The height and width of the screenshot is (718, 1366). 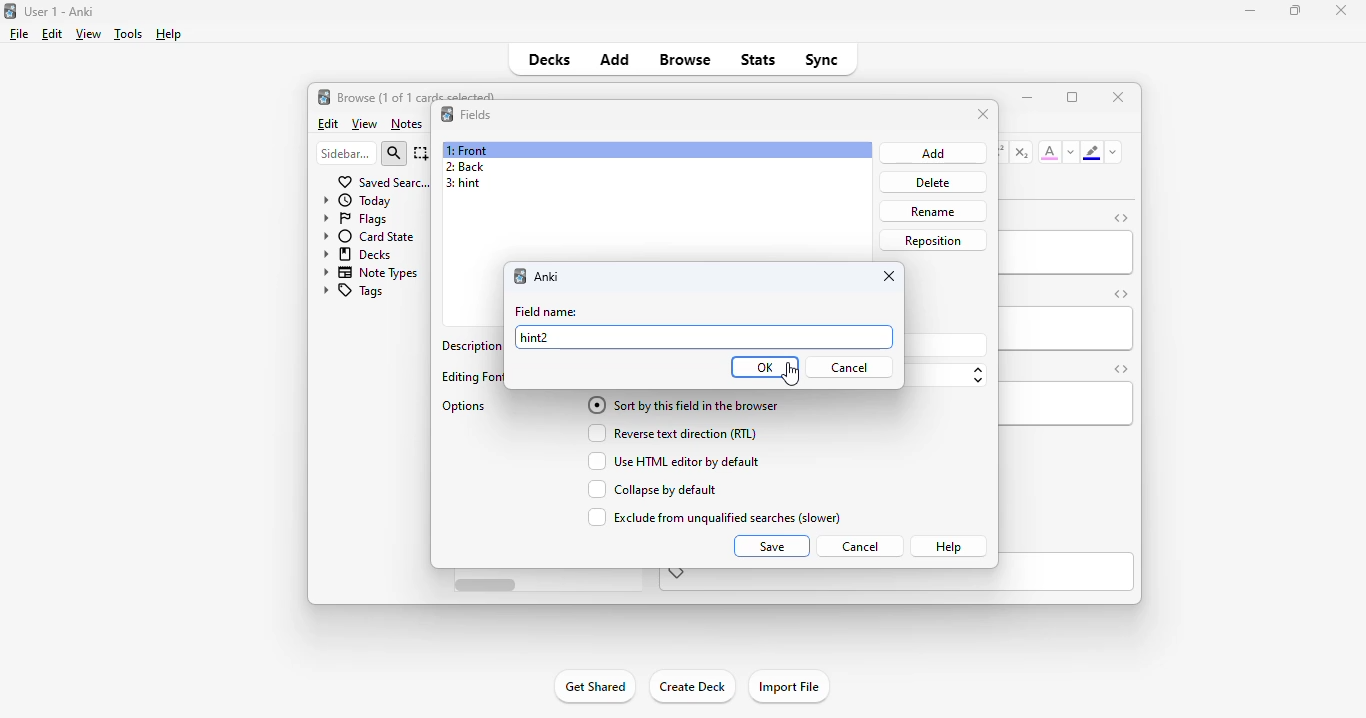 I want to click on today, so click(x=357, y=200).